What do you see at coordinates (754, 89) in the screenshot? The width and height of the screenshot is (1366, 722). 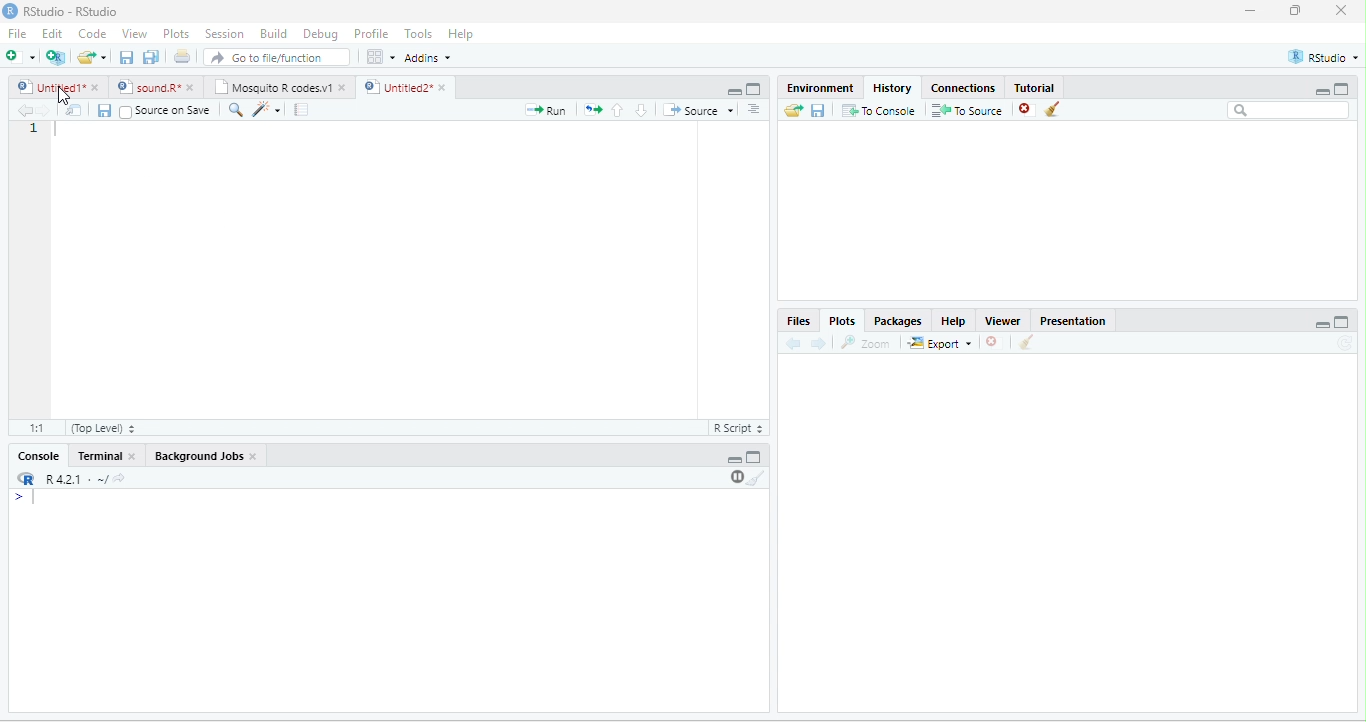 I see `maximize` at bounding box center [754, 89].